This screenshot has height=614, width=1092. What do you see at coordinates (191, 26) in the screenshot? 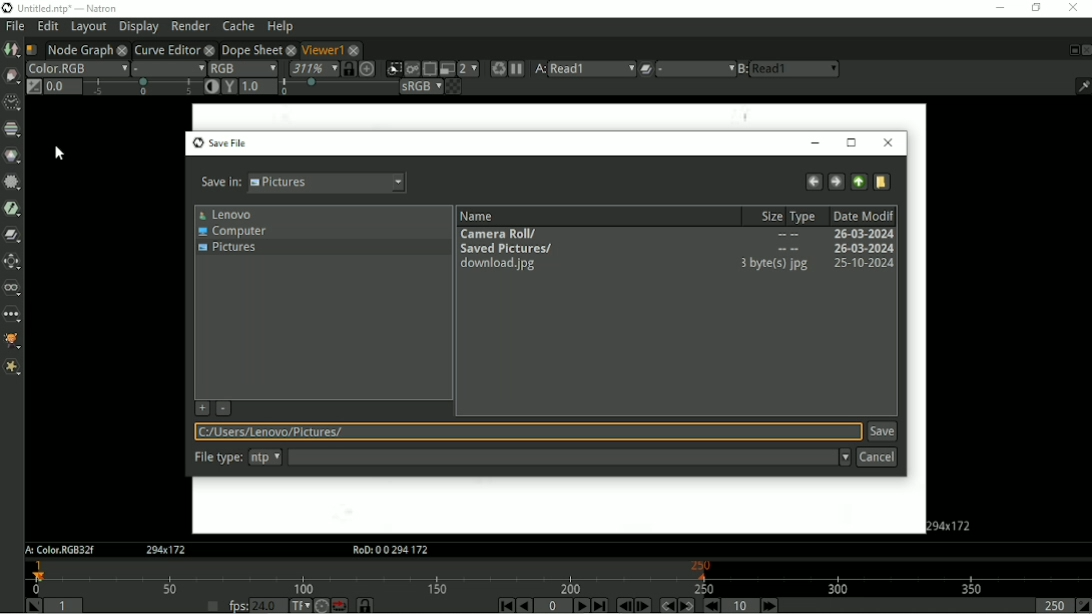
I see `Render` at bounding box center [191, 26].